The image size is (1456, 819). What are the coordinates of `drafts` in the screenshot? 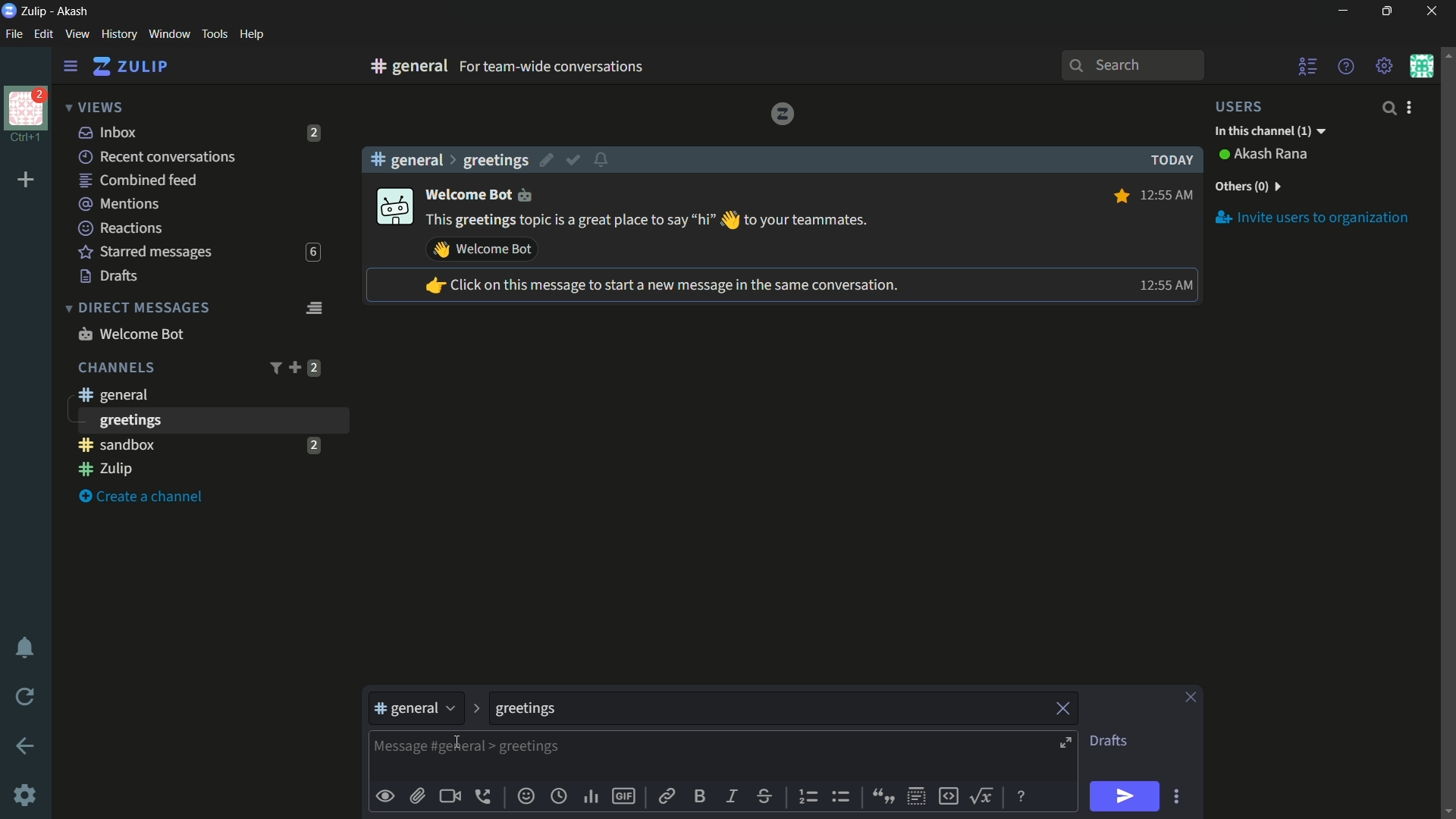 It's located at (109, 276).